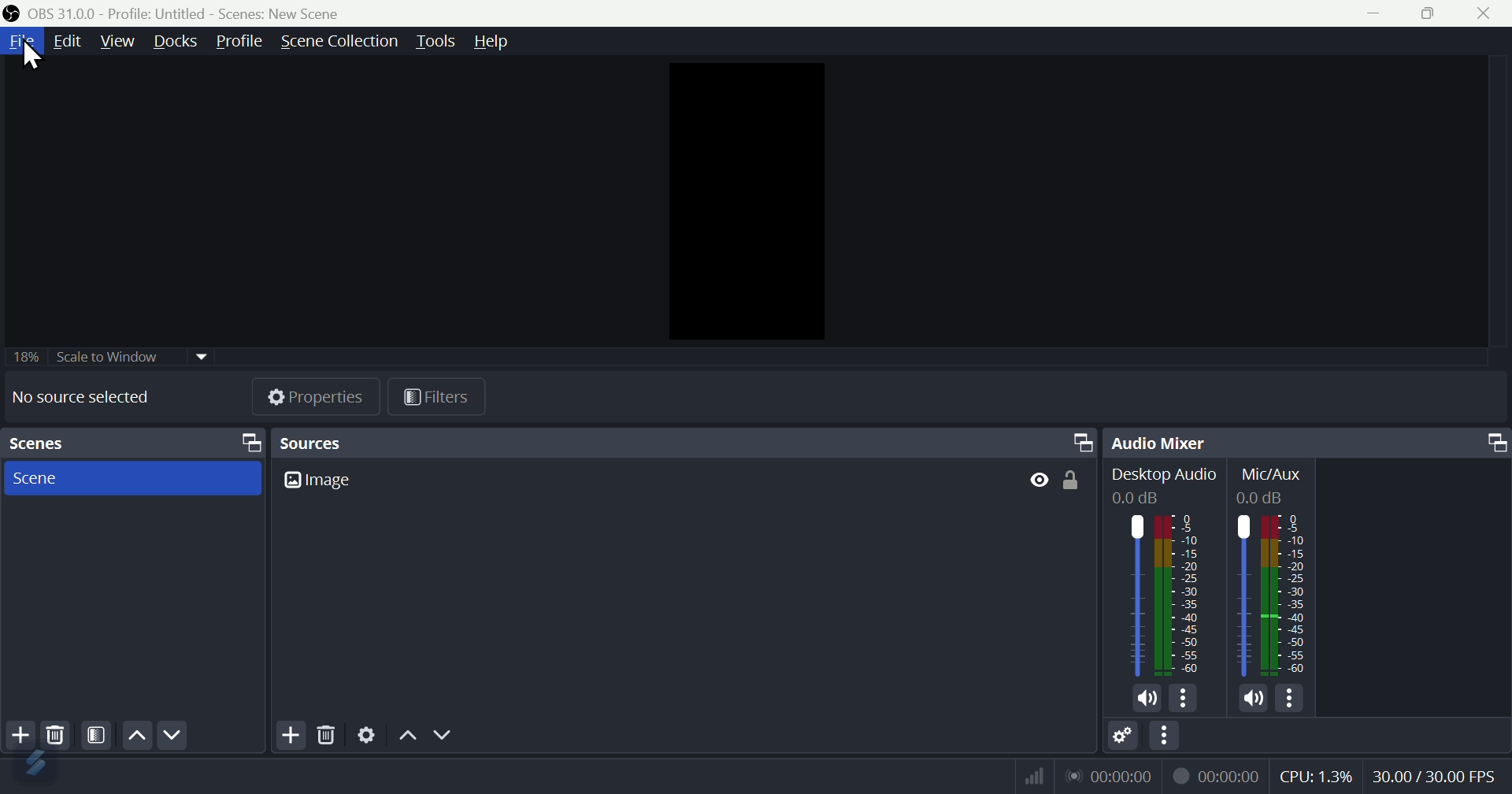  I want to click on Scenes, so click(131, 443).